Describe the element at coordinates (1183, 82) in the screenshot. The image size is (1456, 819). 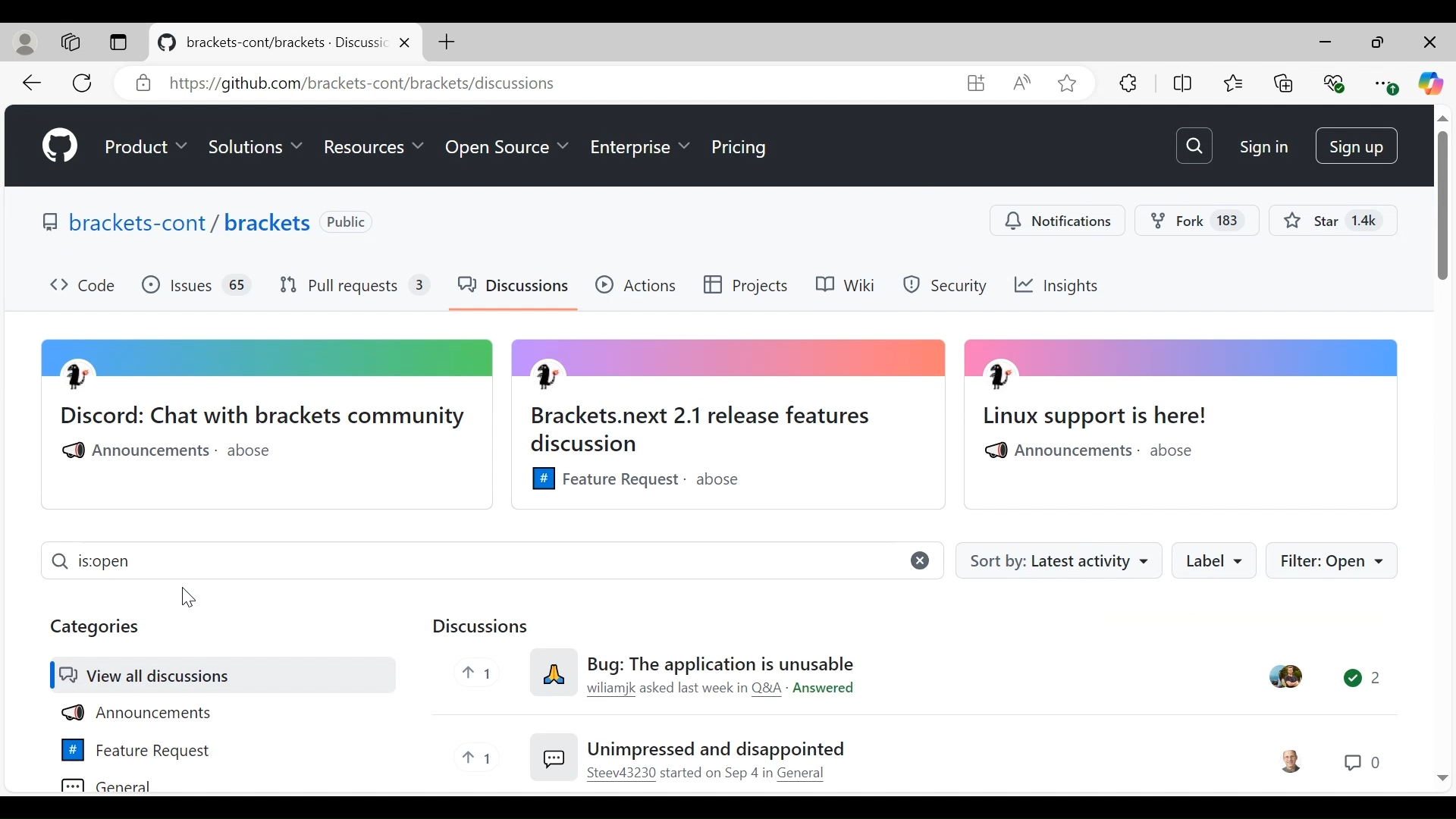
I see `Split Screen` at that location.